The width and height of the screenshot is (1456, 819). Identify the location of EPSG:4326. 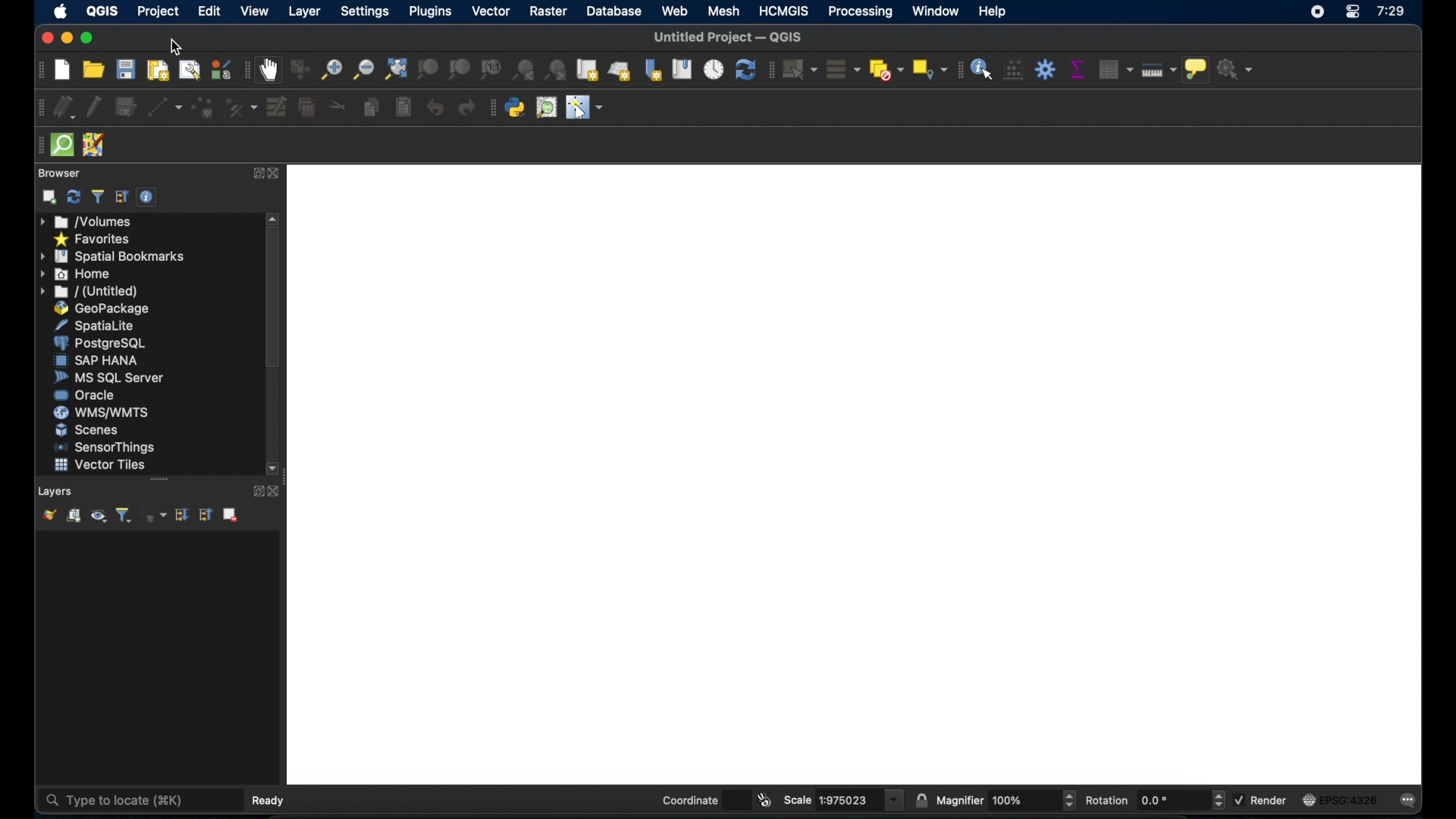
(1349, 799).